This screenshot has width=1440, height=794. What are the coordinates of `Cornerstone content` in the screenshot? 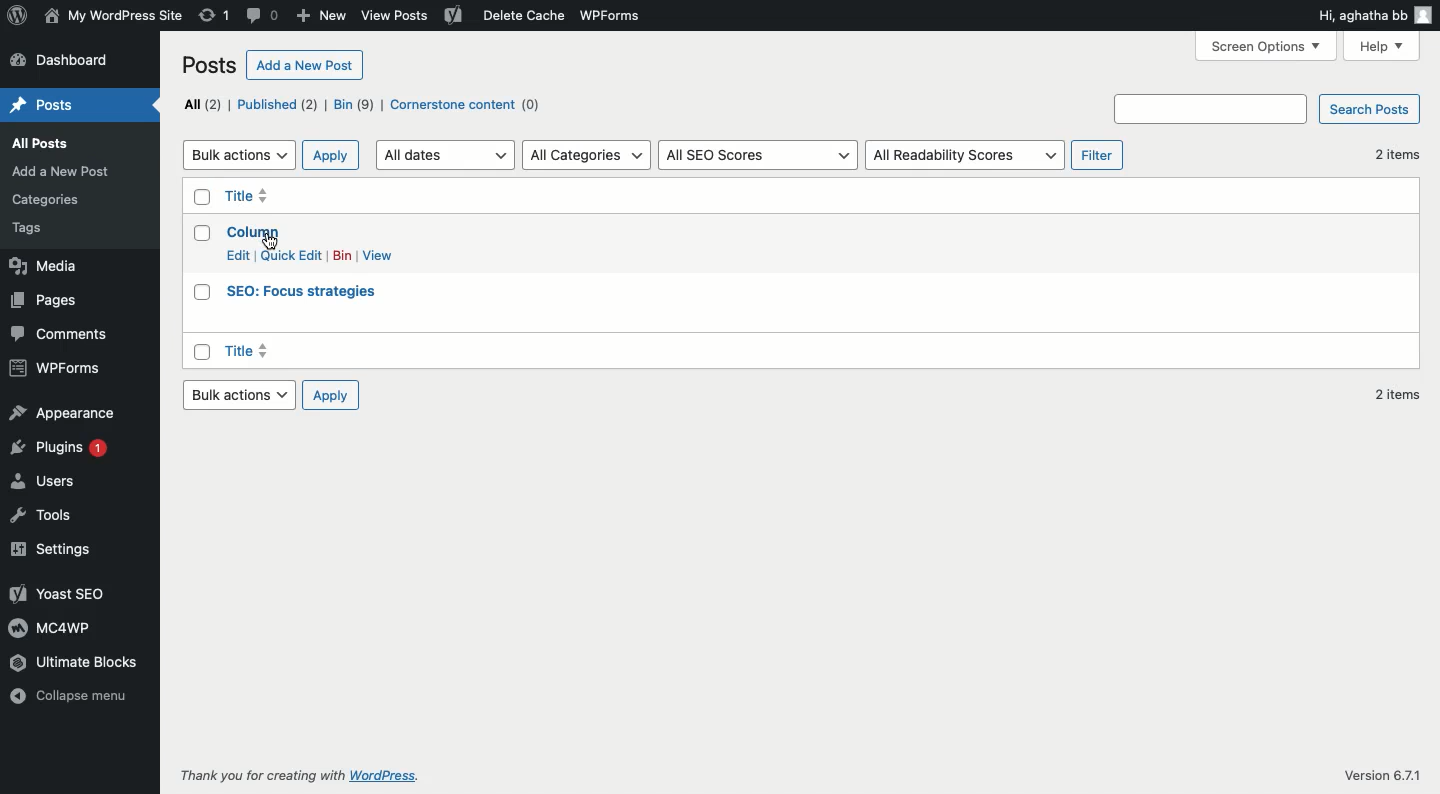 It's located at (468, 105).